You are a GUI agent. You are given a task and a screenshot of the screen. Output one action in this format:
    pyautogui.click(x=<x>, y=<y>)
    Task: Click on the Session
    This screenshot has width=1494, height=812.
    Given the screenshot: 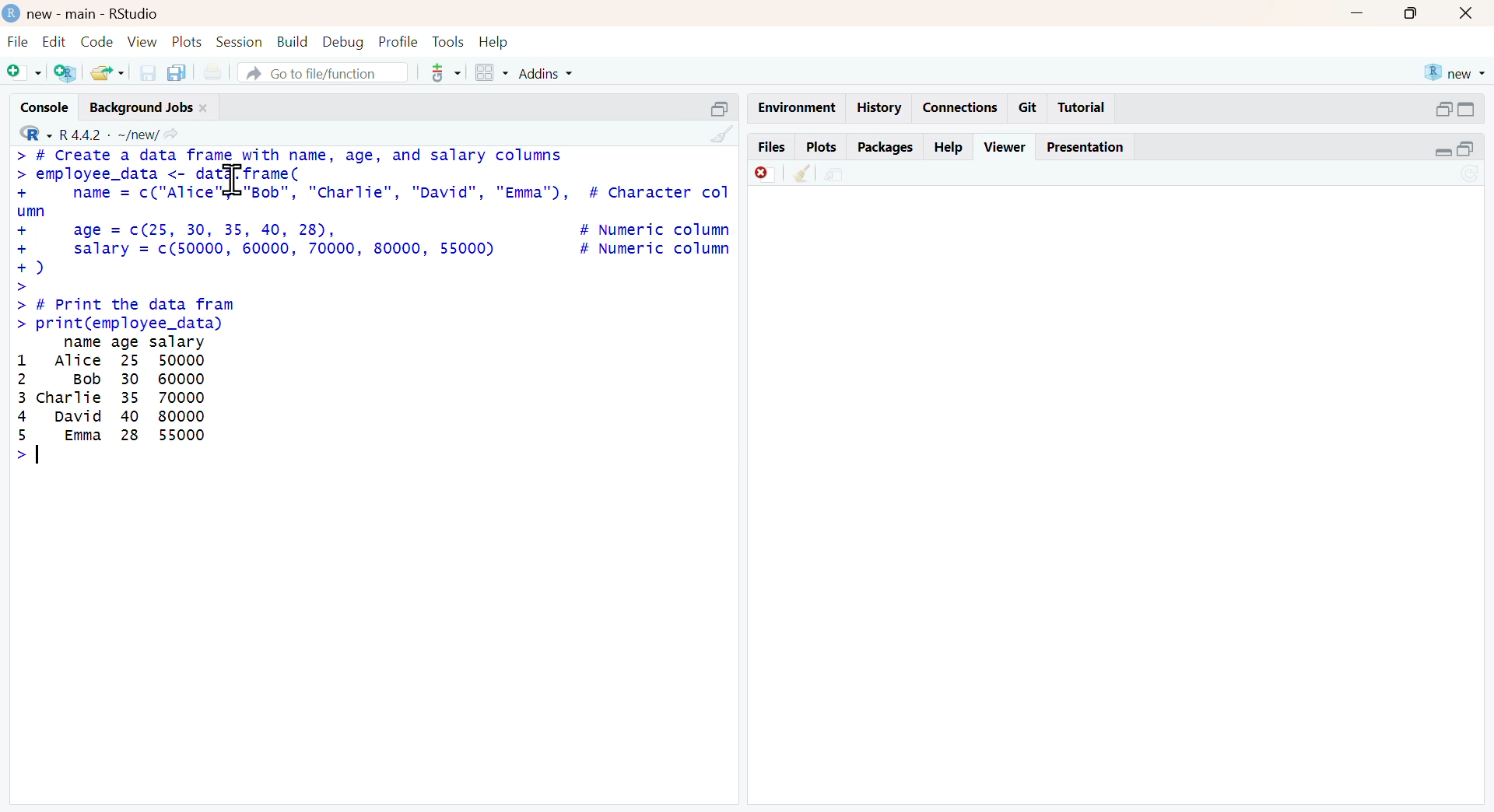 What is the action you would take?
    pyautogui.click(x=239, y=40)
    